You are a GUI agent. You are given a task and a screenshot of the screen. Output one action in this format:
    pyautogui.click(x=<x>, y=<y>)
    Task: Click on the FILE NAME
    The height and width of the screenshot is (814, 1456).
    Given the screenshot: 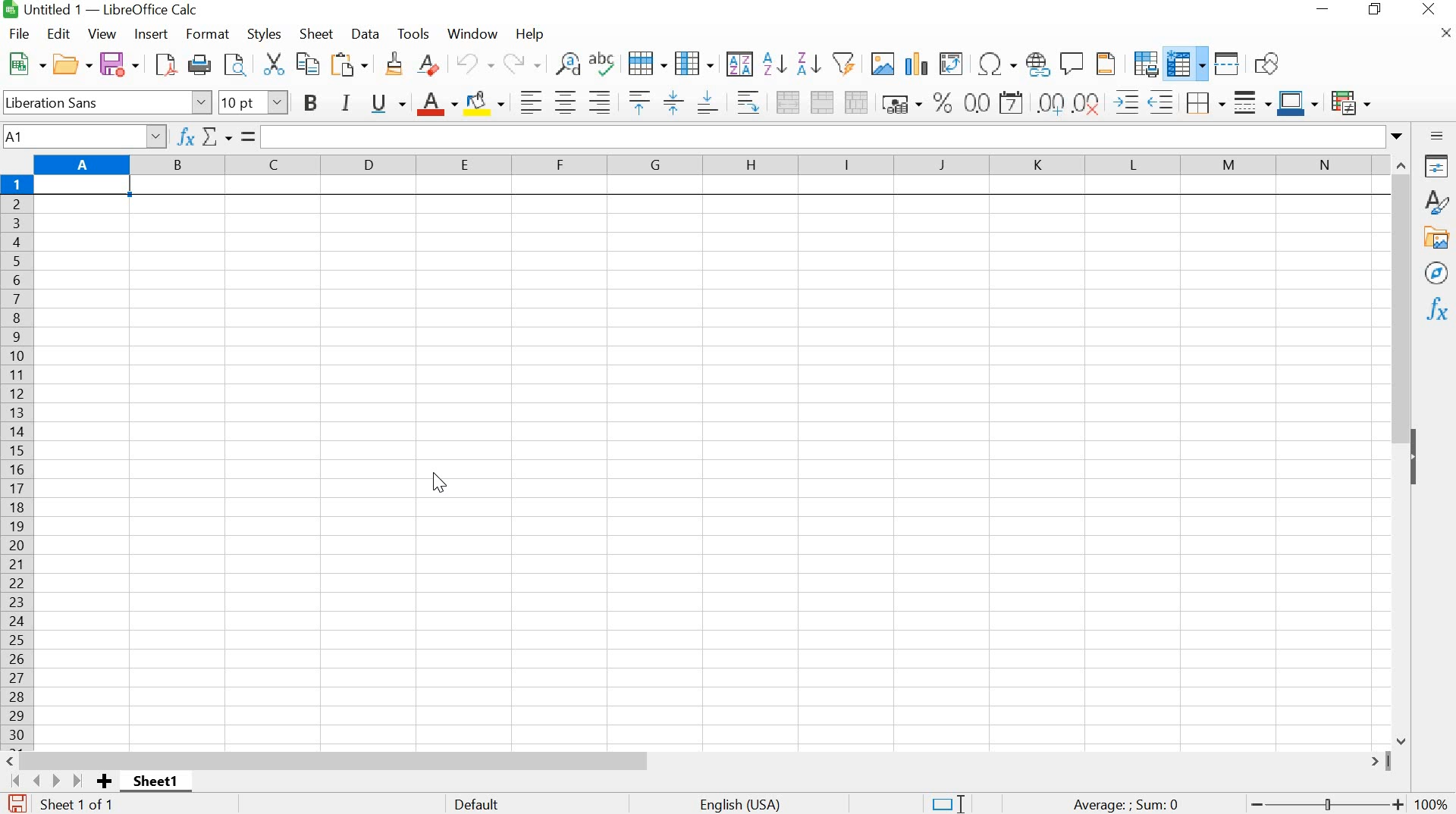 What is the action you would take?
    pyautogui.click(x=103, y=11)
    